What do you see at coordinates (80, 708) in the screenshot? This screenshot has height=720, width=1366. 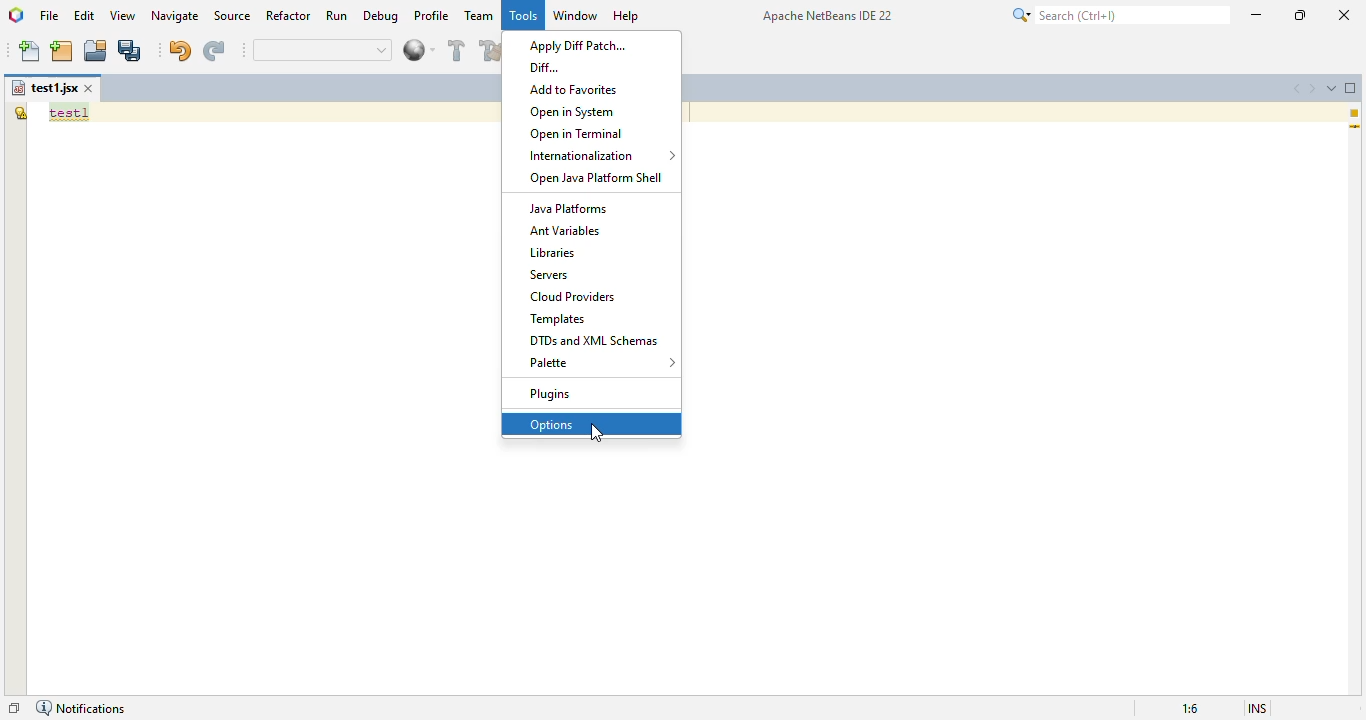 I see `notifications` at bounding box center [80, 708].